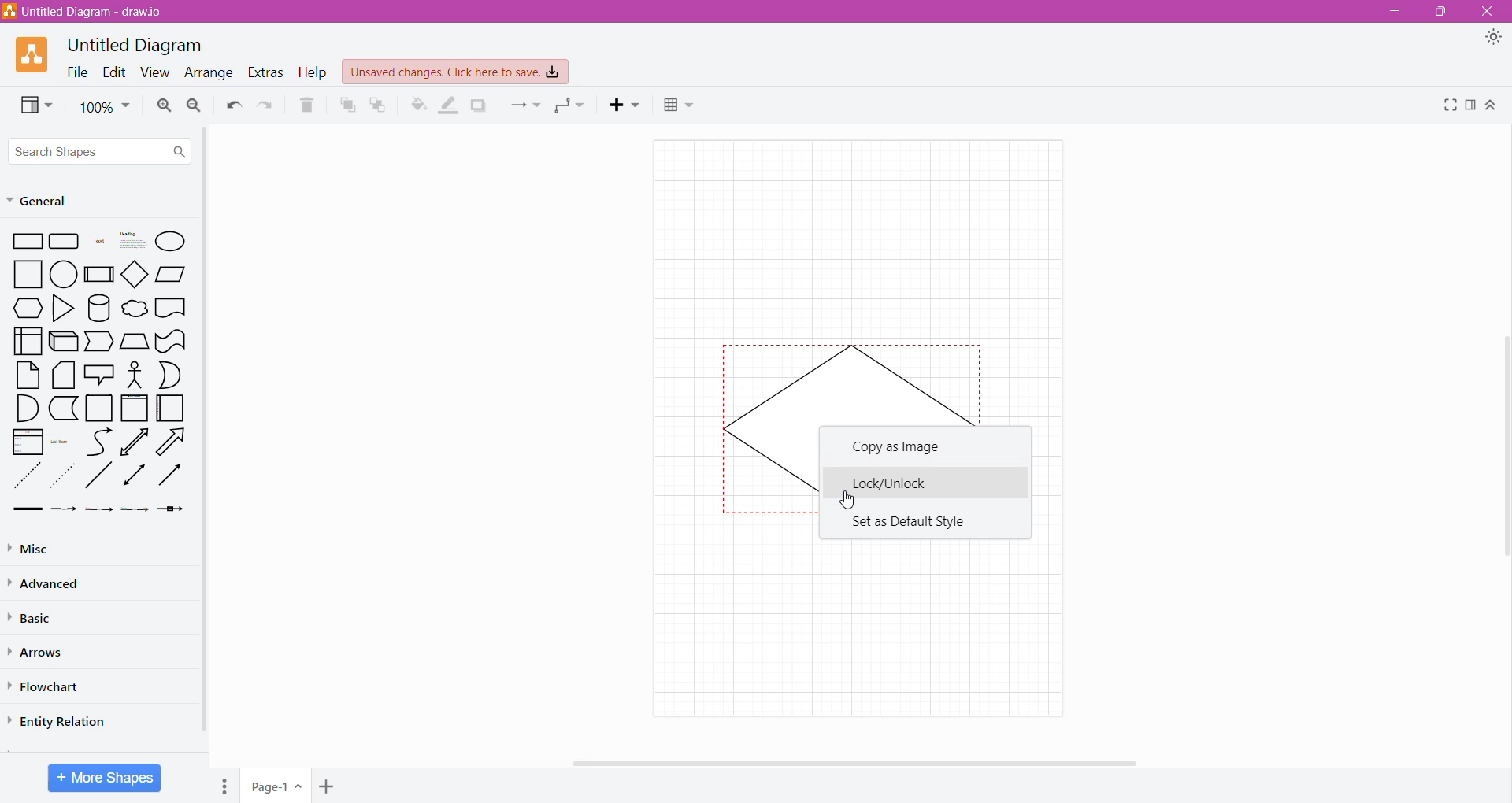  Describe the element at coordinates (232, 105) in the screenshot. I see `Undo` at that location.